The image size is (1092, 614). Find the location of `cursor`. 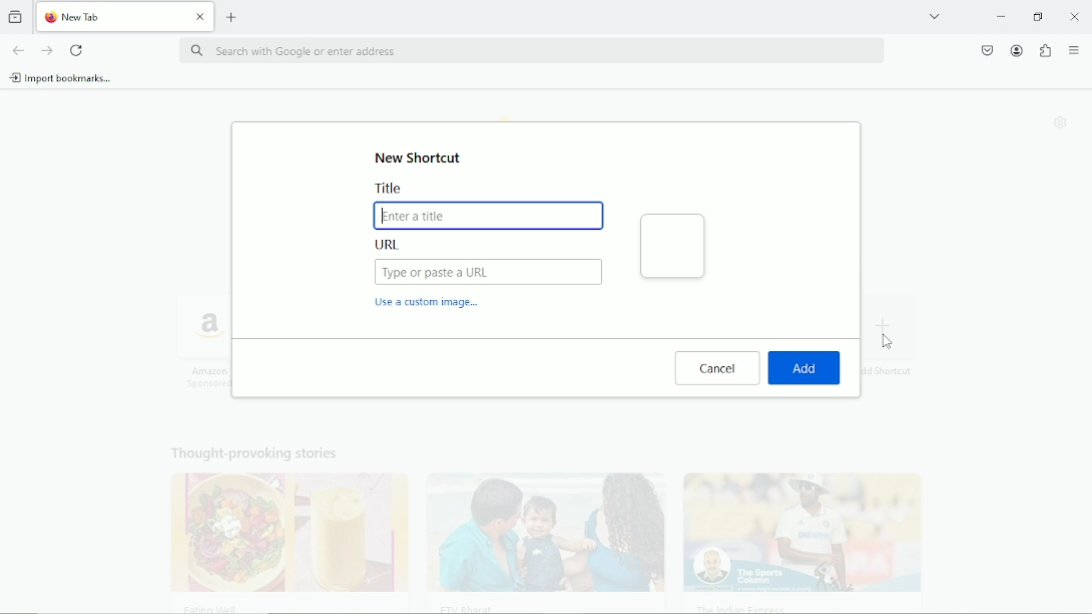

cursor is located at coordinates (886, 342).